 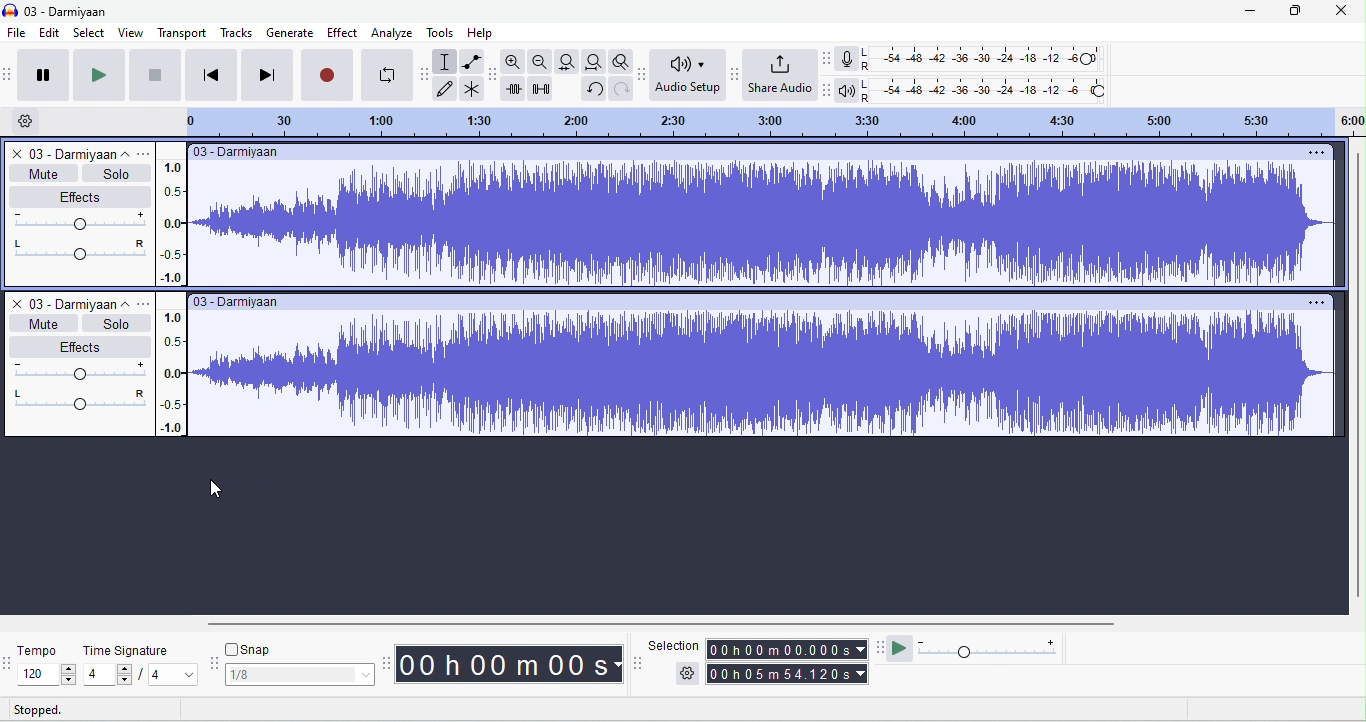 What do you see at coordinates (391, 660) in the screenshot?
I see `audacity time toolbar` at bounding box center [391, 660].